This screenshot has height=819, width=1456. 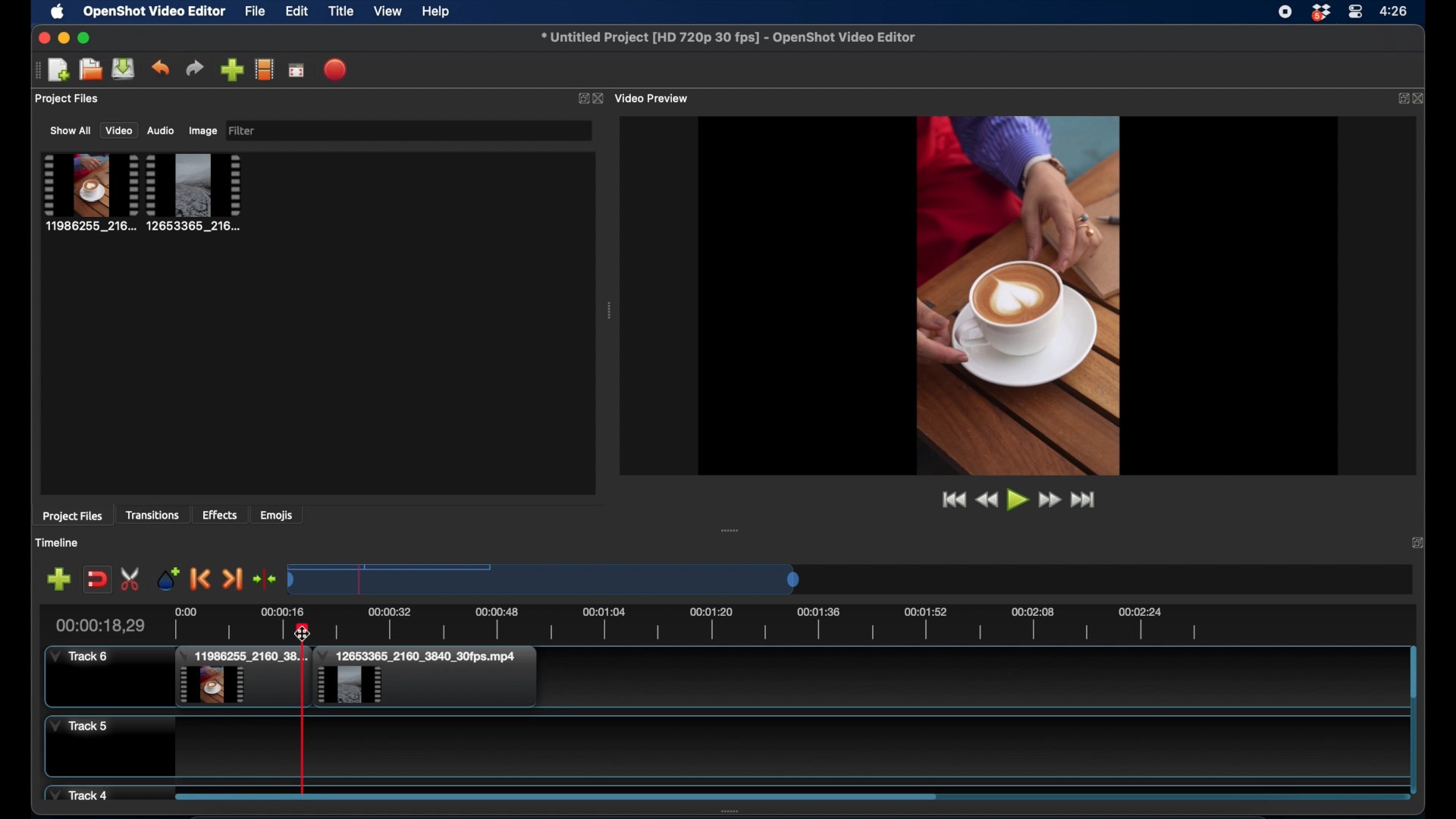 I want to click on full screen, so click(x=297, y=69).